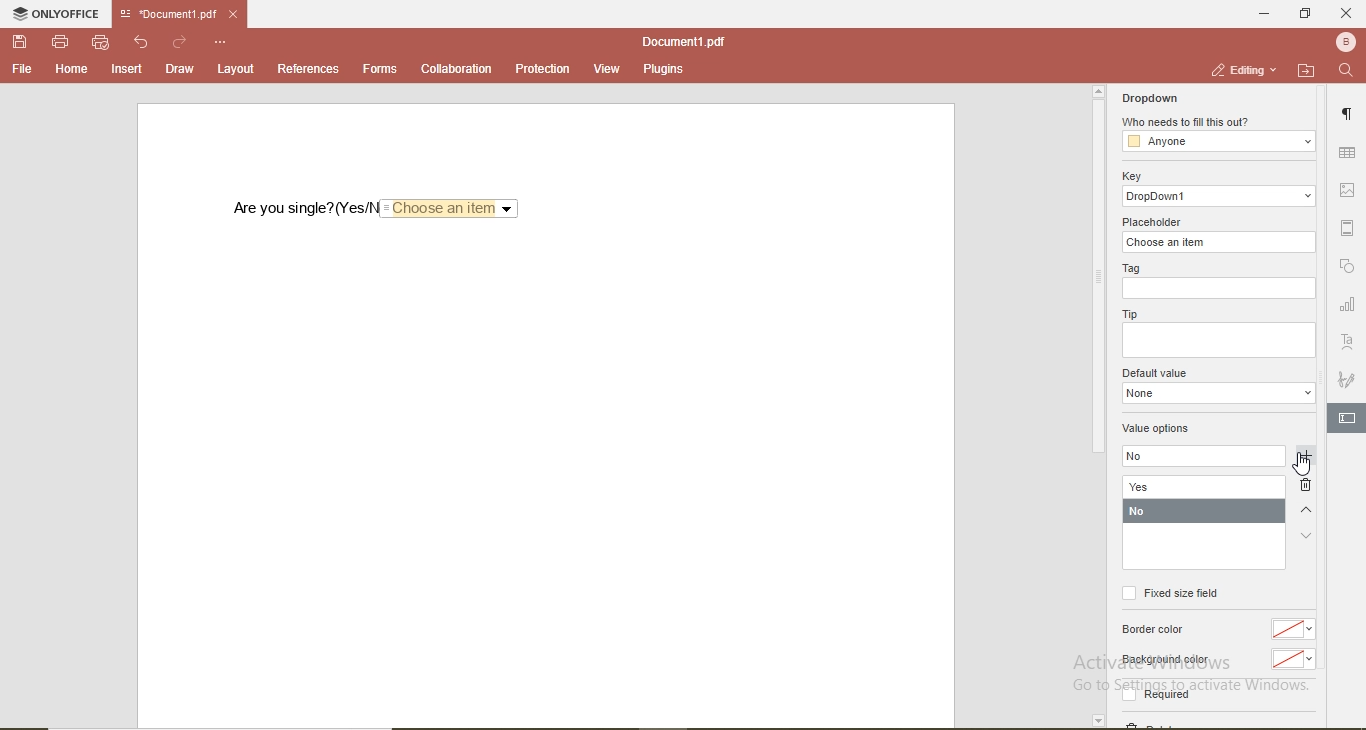 This screenshot has height=730, width=1366. Describe the element at coordinates (23, 70) in the screenshot. I see `file` at that location.